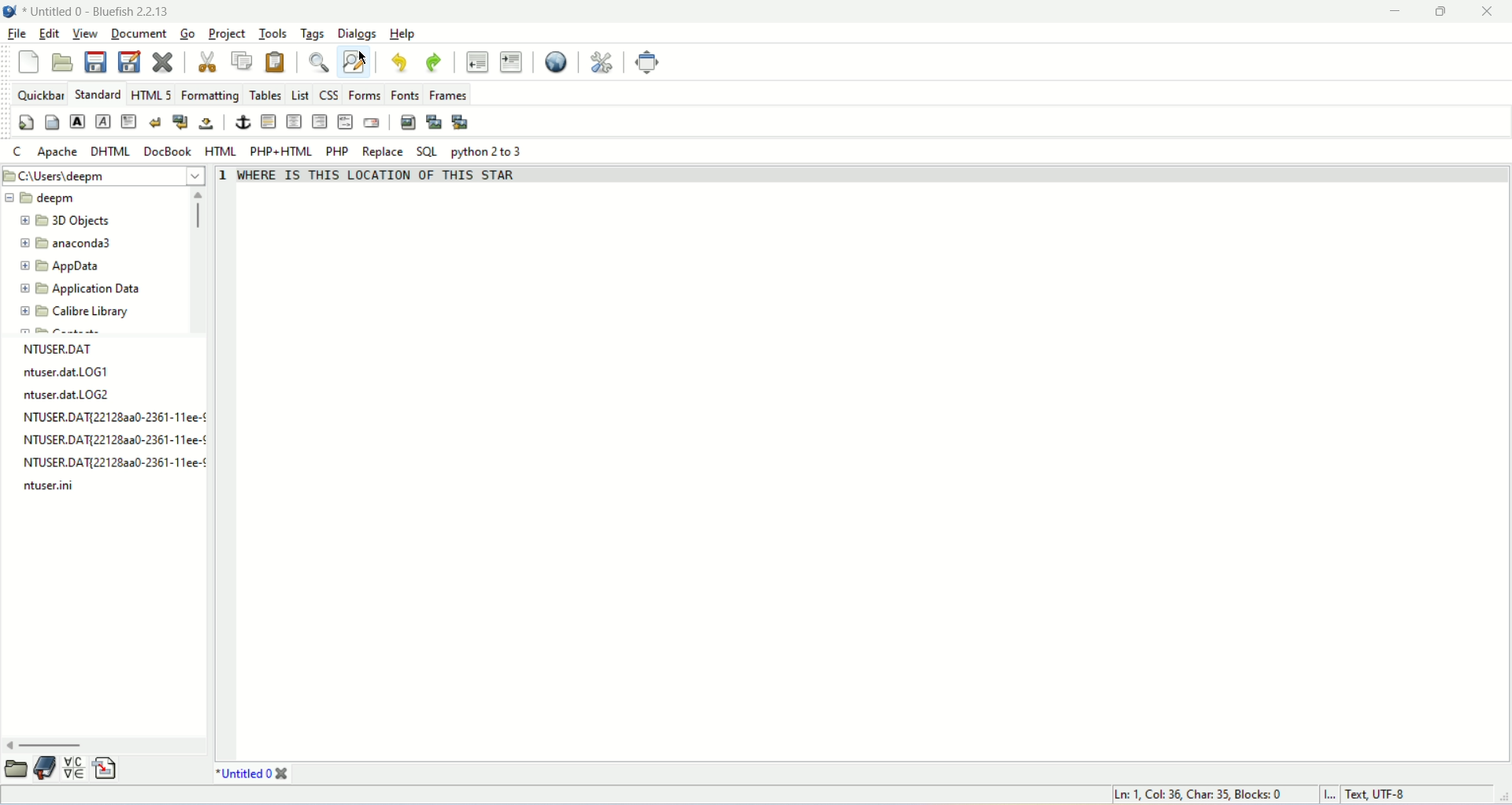 The height and width of the screenshot is (805, 1512). I want to click on find, so click(317, 63).